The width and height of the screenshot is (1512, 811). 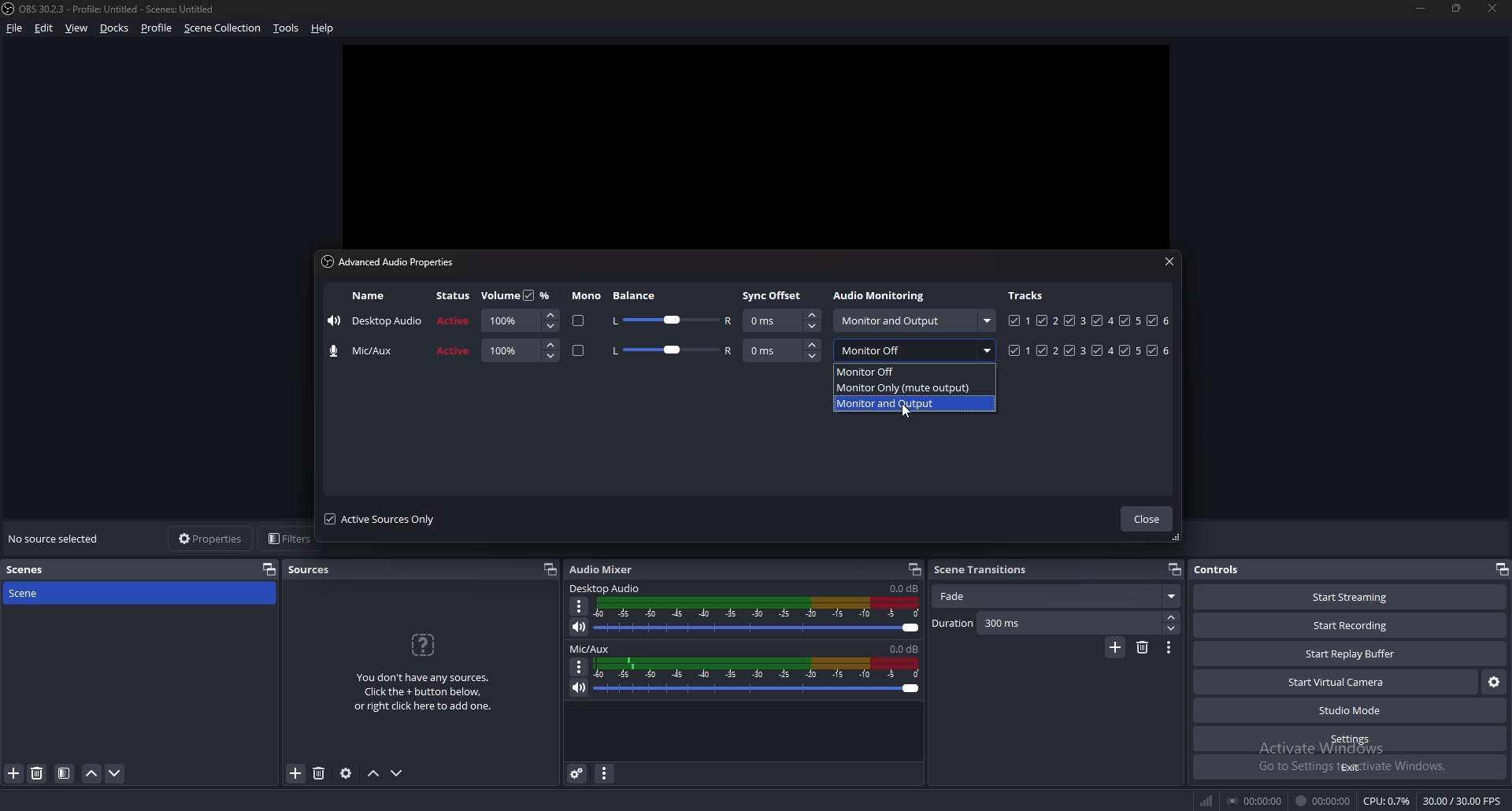 What do you see at coordinates (1057, 596) in the screenshot?
I see `fade` at bounding box center [1057, 596].